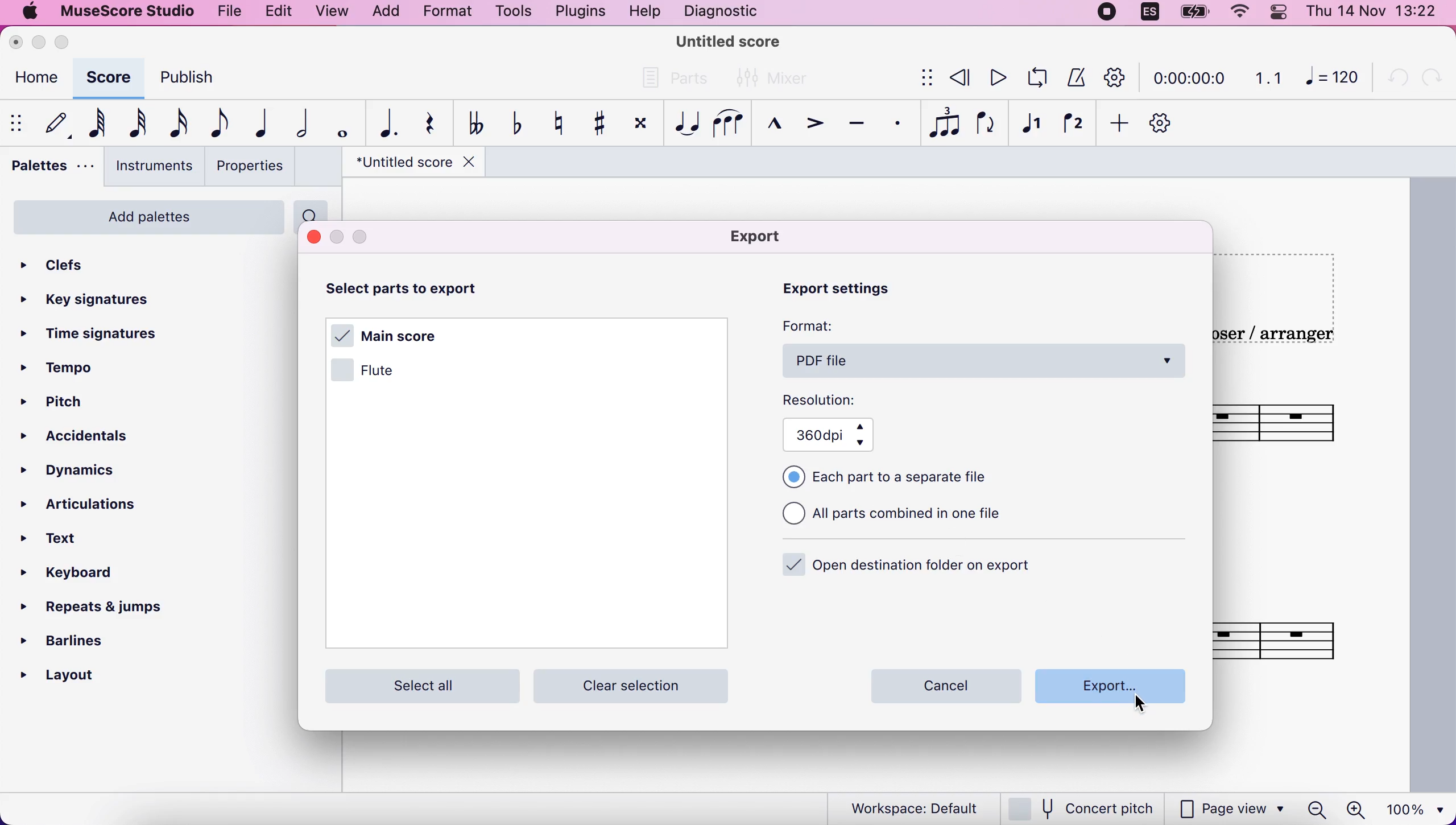 Image resolution: width=1456 pixels, height=825 pixels. What do you see at coordinates (723, 10) in the screenshot?
I see `diagnostic` at bounding box center [723, 10].